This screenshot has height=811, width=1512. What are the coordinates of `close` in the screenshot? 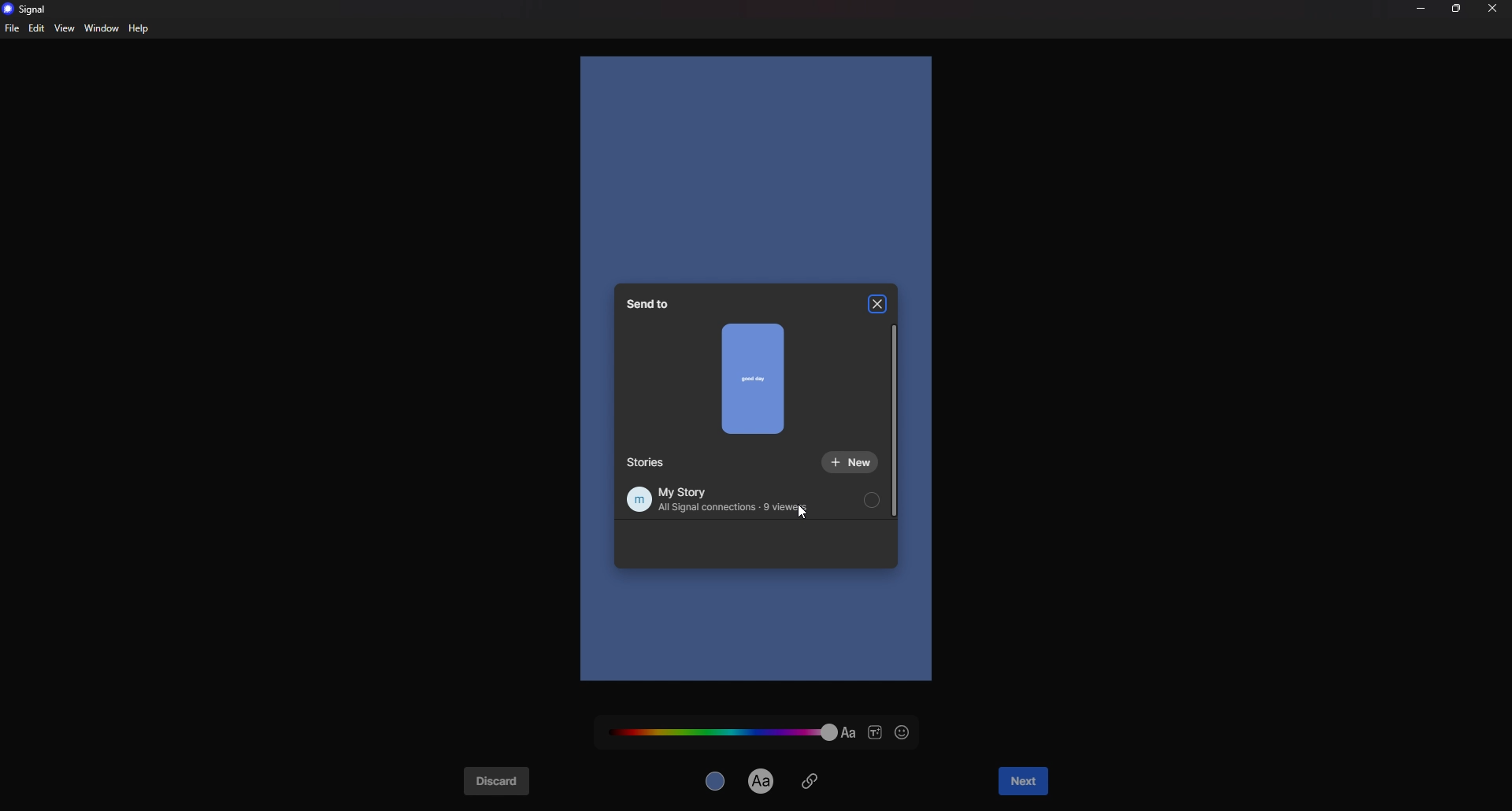 It's located at (1493, 8).